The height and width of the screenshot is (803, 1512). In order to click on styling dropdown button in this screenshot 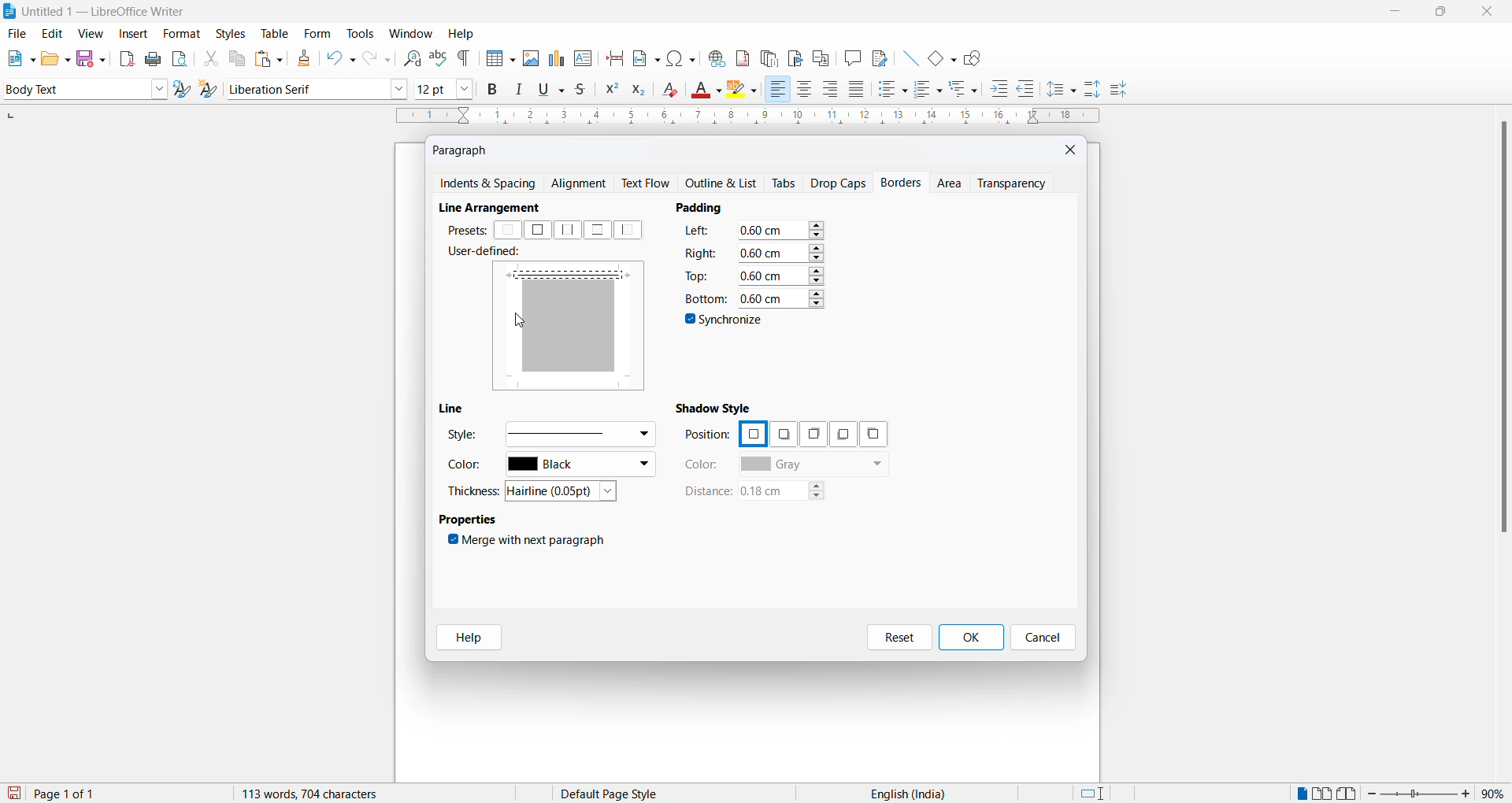, I will do `click(159, 90)`.